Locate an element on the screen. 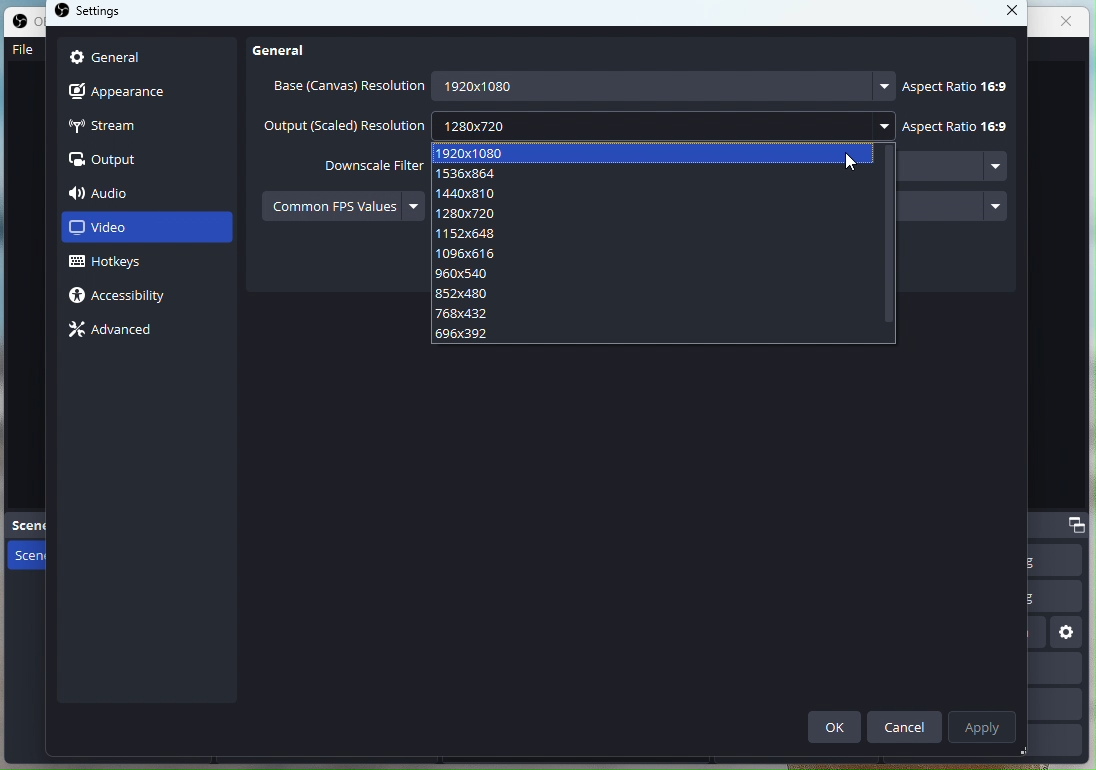  1280x720 is located at coordinates (659, 214).